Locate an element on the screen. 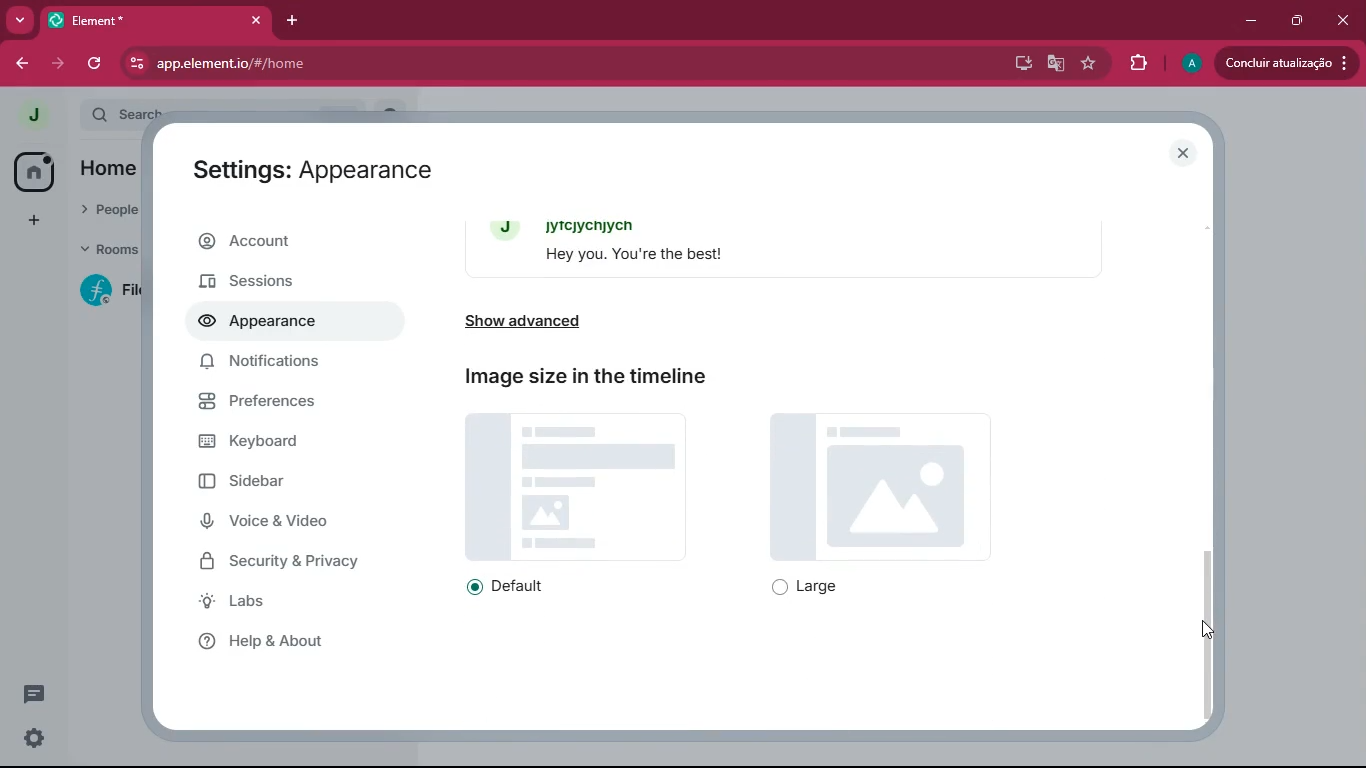 This screenshot has width=1366, height=768. notifications is located at coordinates (271, 365).